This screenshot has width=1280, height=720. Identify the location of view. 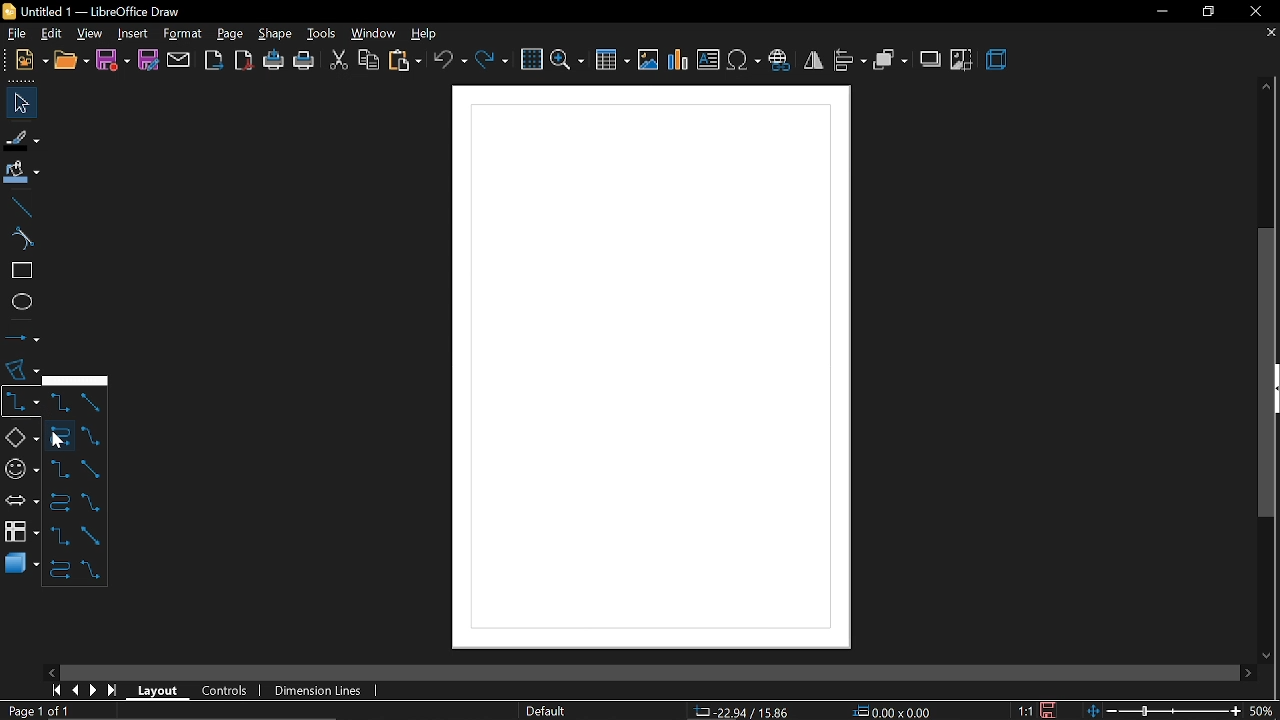
(90, 32).